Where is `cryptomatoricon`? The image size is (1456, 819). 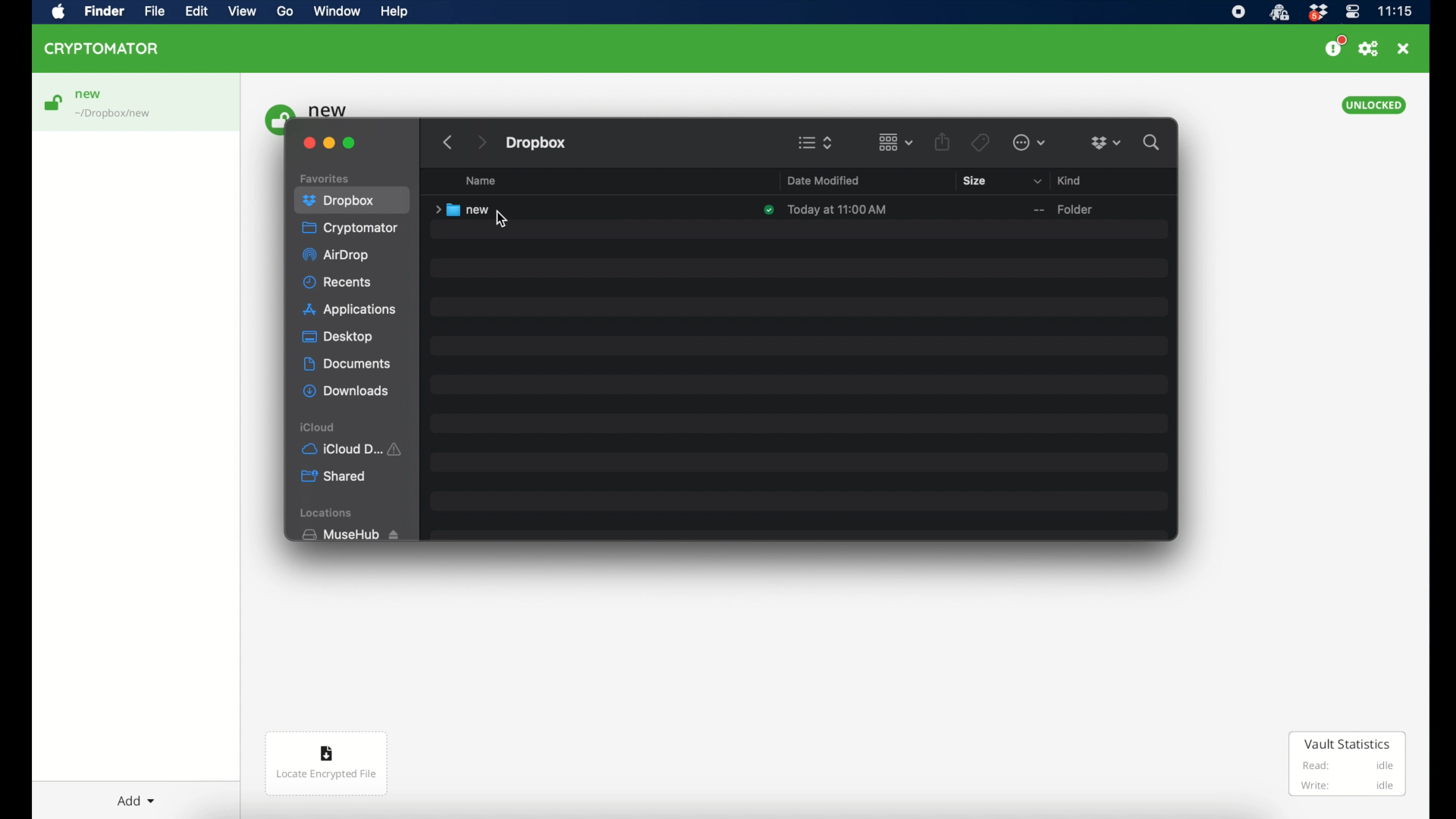
cryptomatoricon is located at coordinates (1279, 13).